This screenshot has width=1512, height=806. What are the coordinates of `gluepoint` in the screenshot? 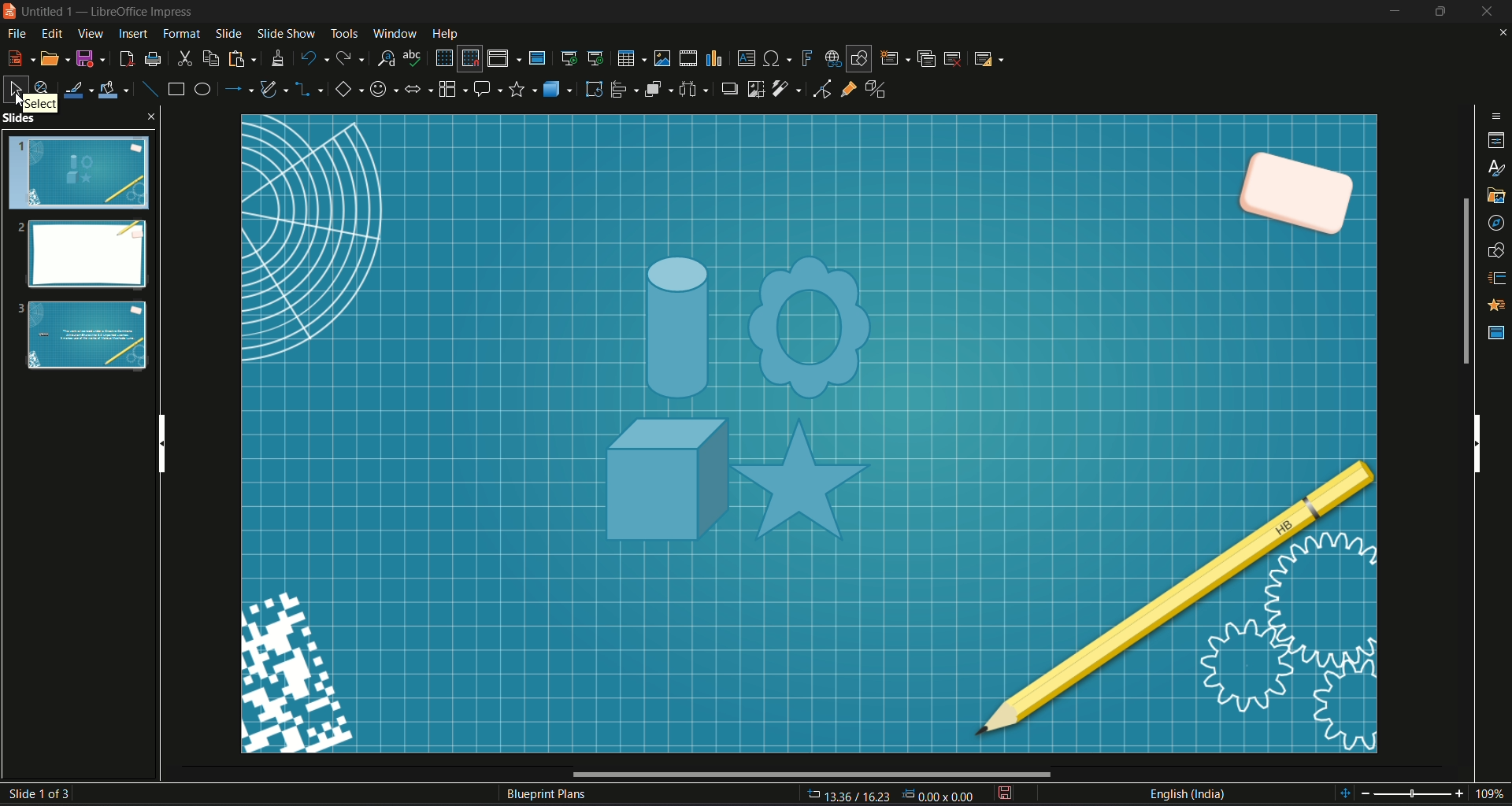 It's located at (848, 87).